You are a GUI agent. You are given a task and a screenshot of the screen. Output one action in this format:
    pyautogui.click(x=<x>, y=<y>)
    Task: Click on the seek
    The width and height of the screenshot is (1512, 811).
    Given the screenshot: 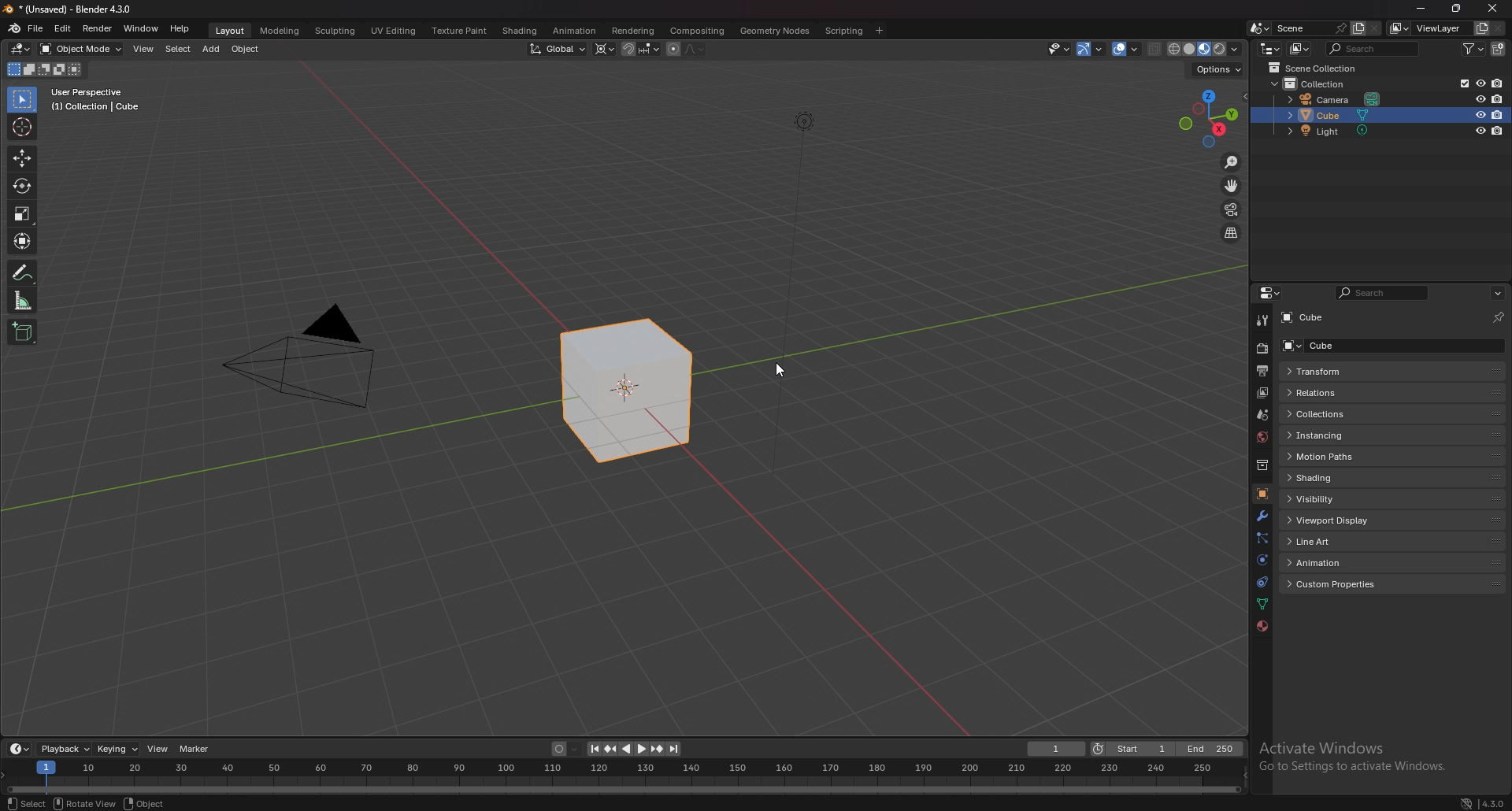 What is the action you would take?
    pyautogui.click(x=622, y=779)
    